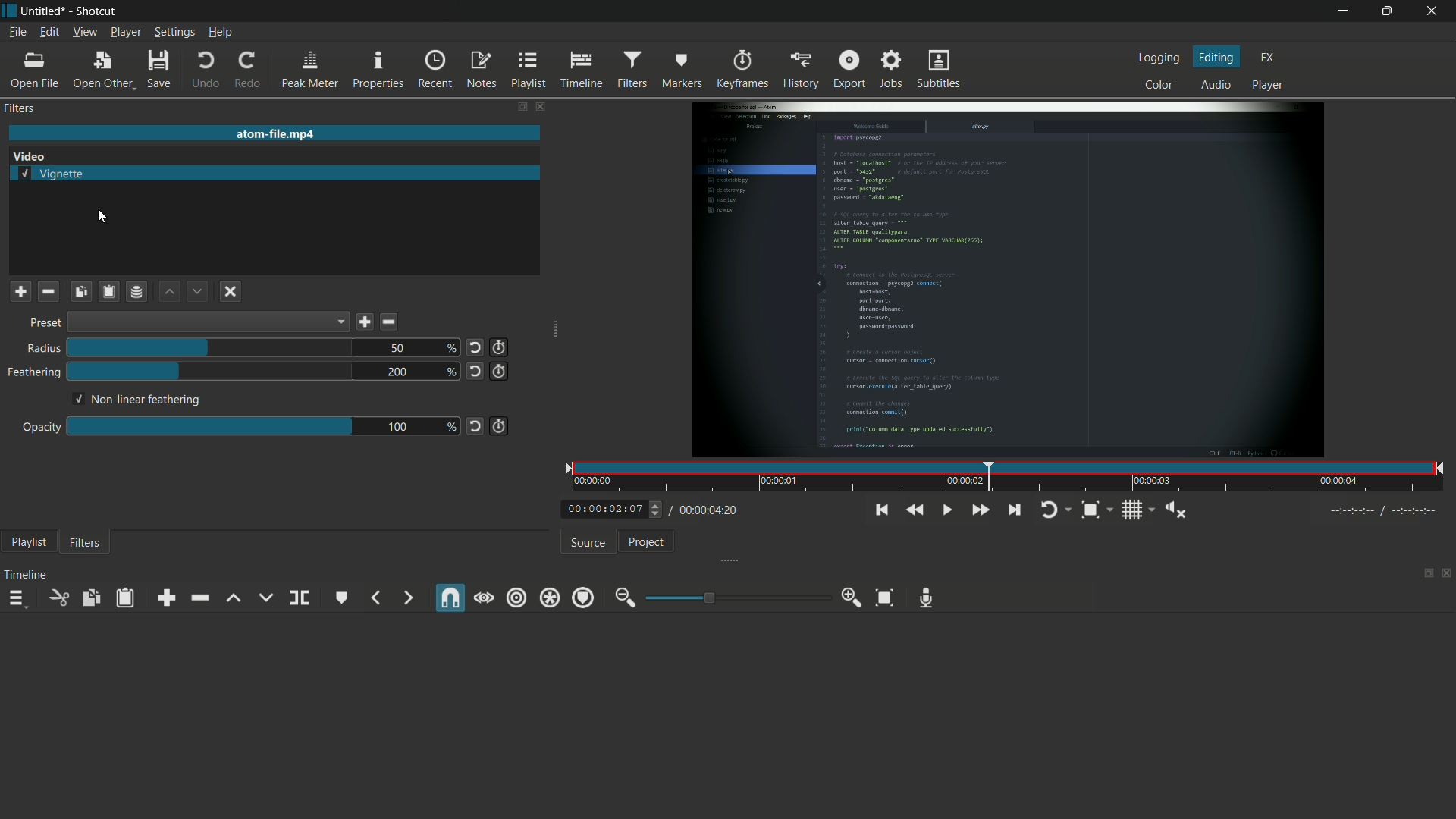 This screenshot has width=1456, height=819. What do you see at coordinates (852, 598) in the screenshot?
I see `zoom in` at bounding box center [852, 598].